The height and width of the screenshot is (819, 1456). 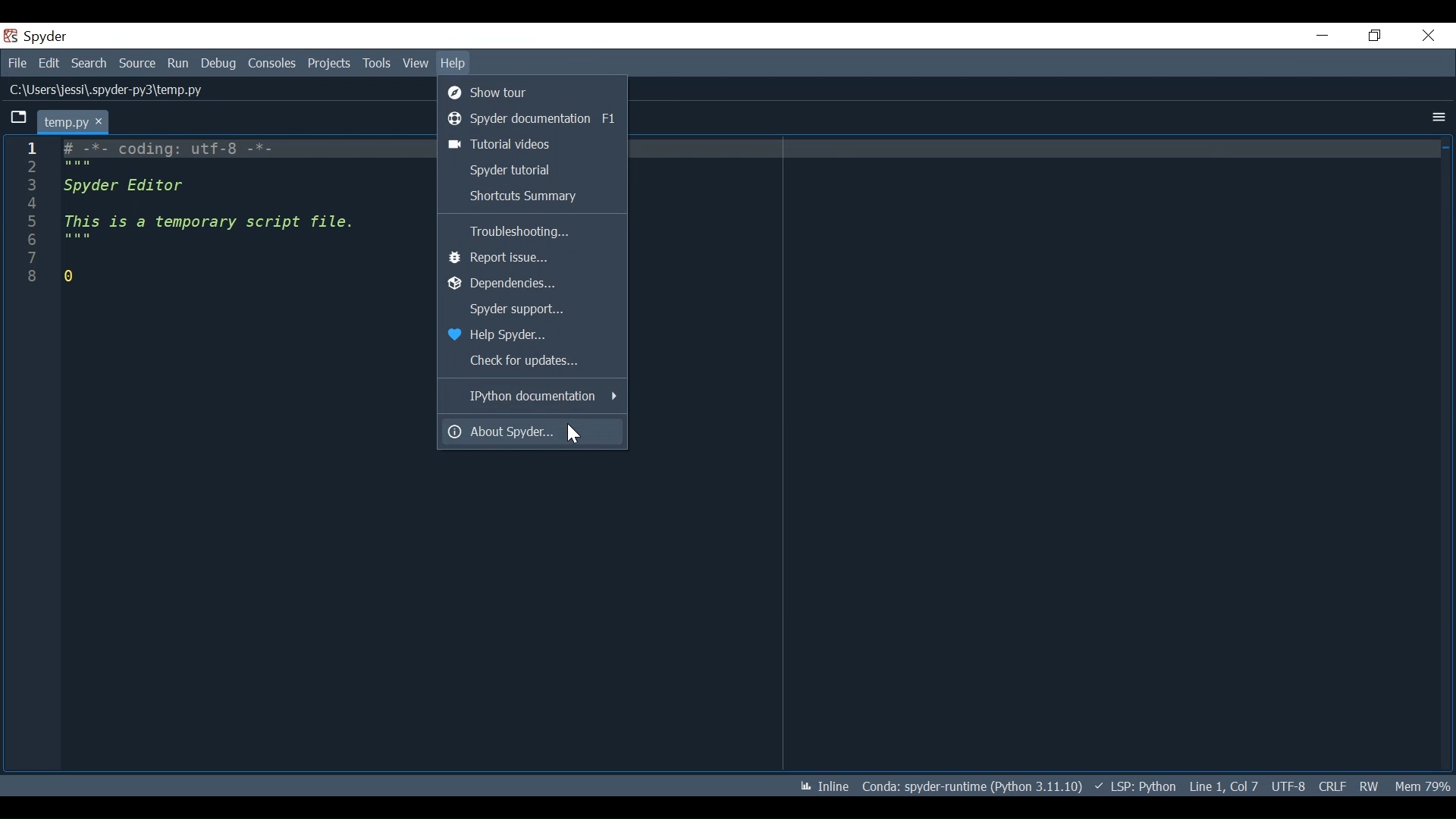 I want to click on # -*- coding: utf-8 -*-

Spyder Editor

This is a temporary script file.
0, so click(x=220, y=231).